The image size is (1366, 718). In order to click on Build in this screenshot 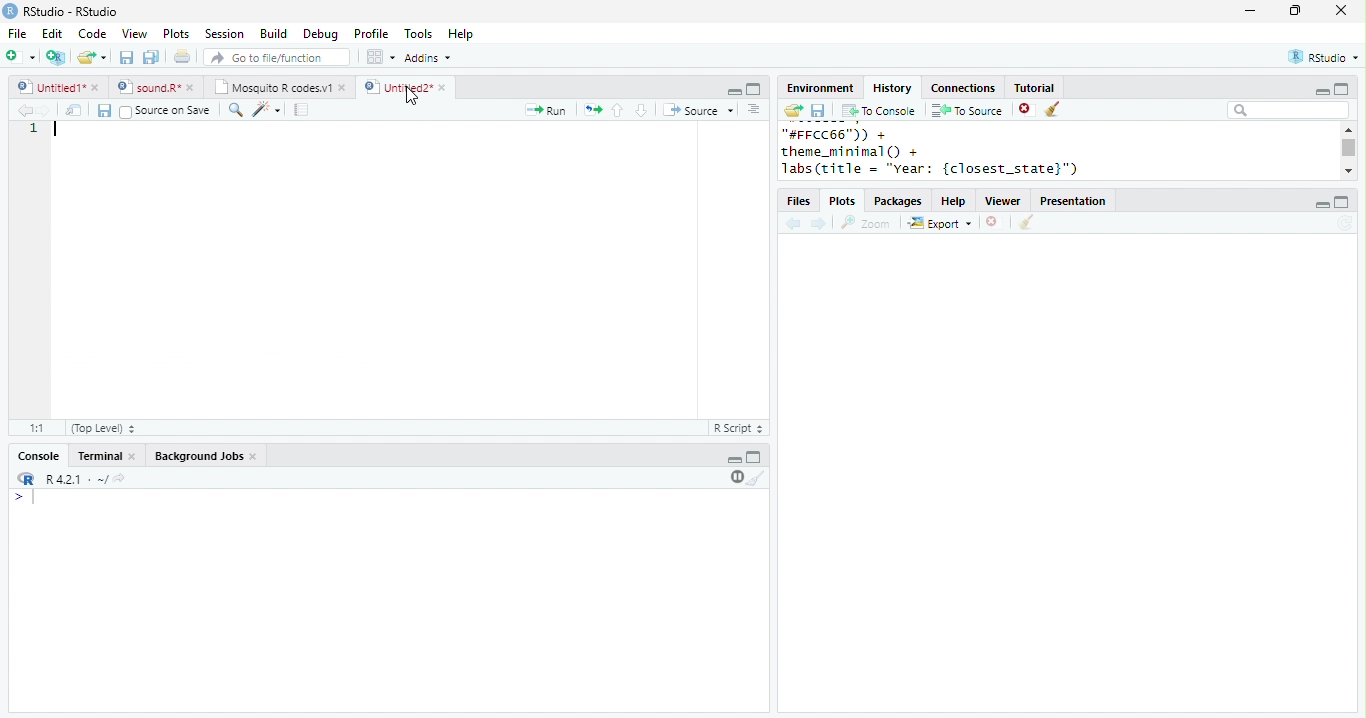, I will do `click(273, 34)`.